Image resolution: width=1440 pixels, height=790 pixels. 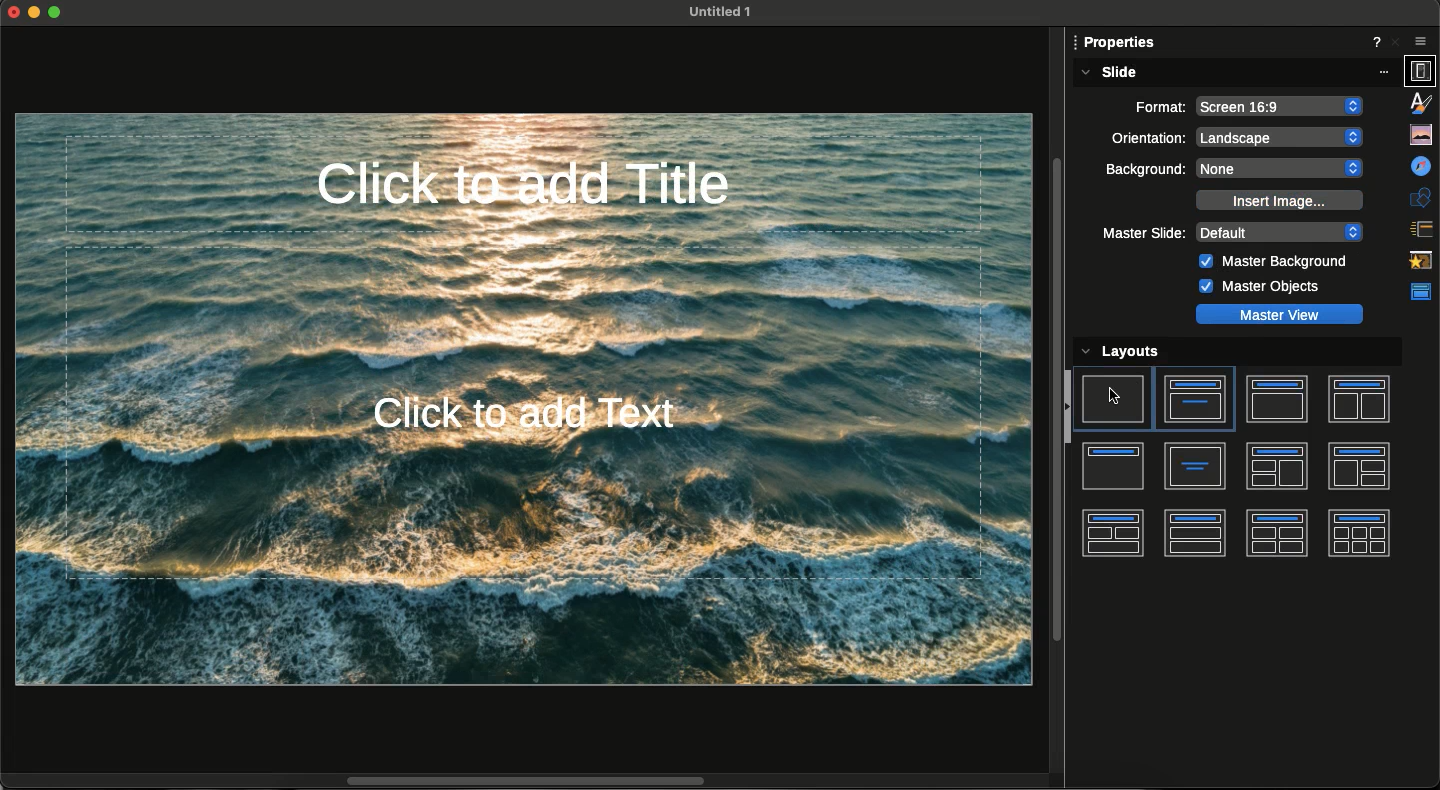 What do you see at coordinates (1111, 533) in the screenshot?
I see `Title and three boxes` at bounding box center [1111, 533].